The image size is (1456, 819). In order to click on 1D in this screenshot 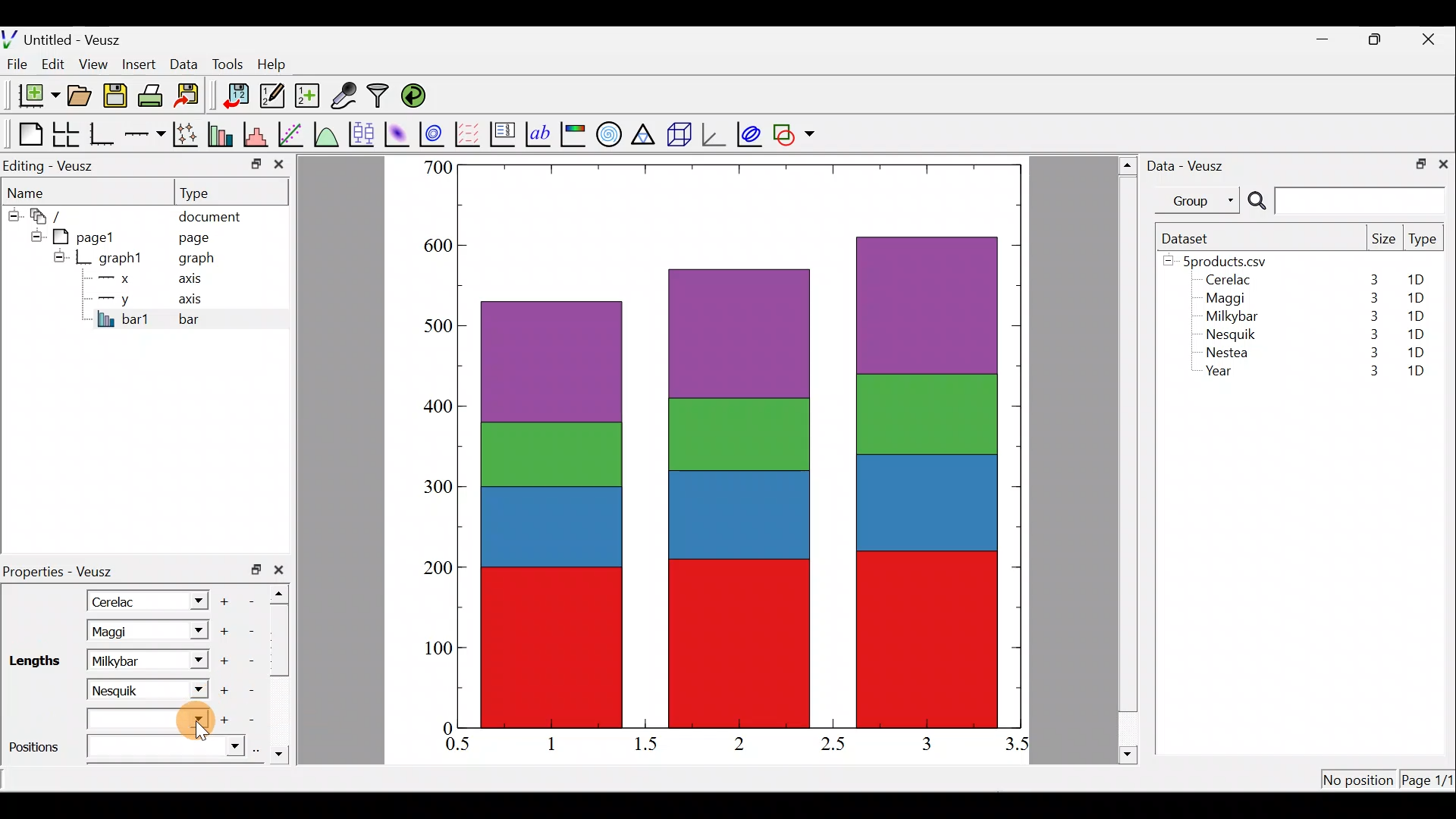, I will do `click(1416, 352)`.